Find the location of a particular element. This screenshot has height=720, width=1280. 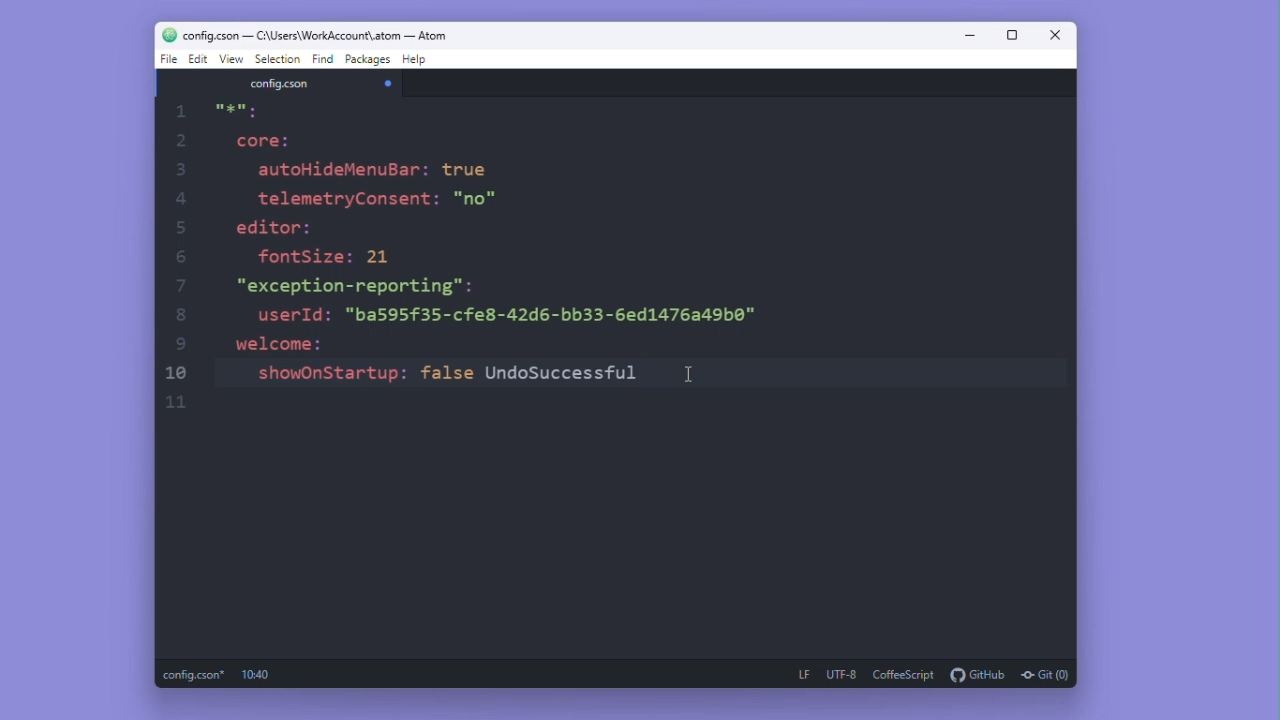

view is located at coordinates (233, 59).